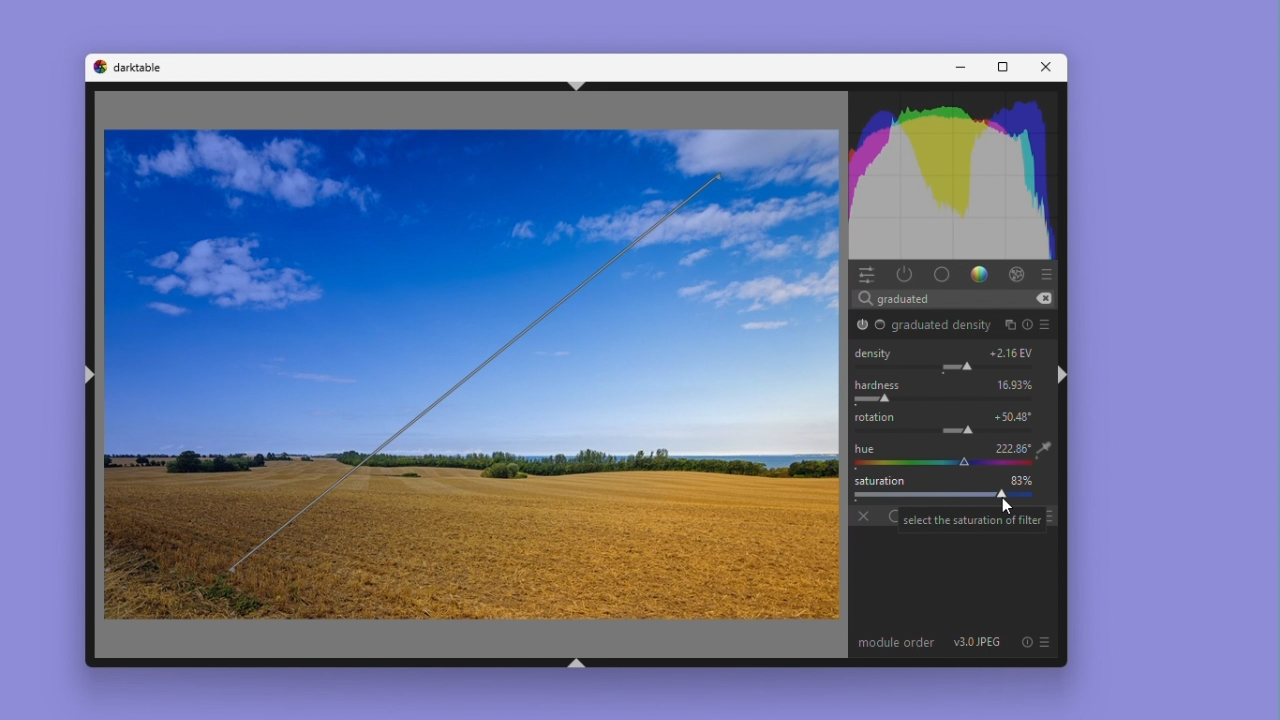 The image size is (1280, 720). I want to click on off, so click(864, 515).